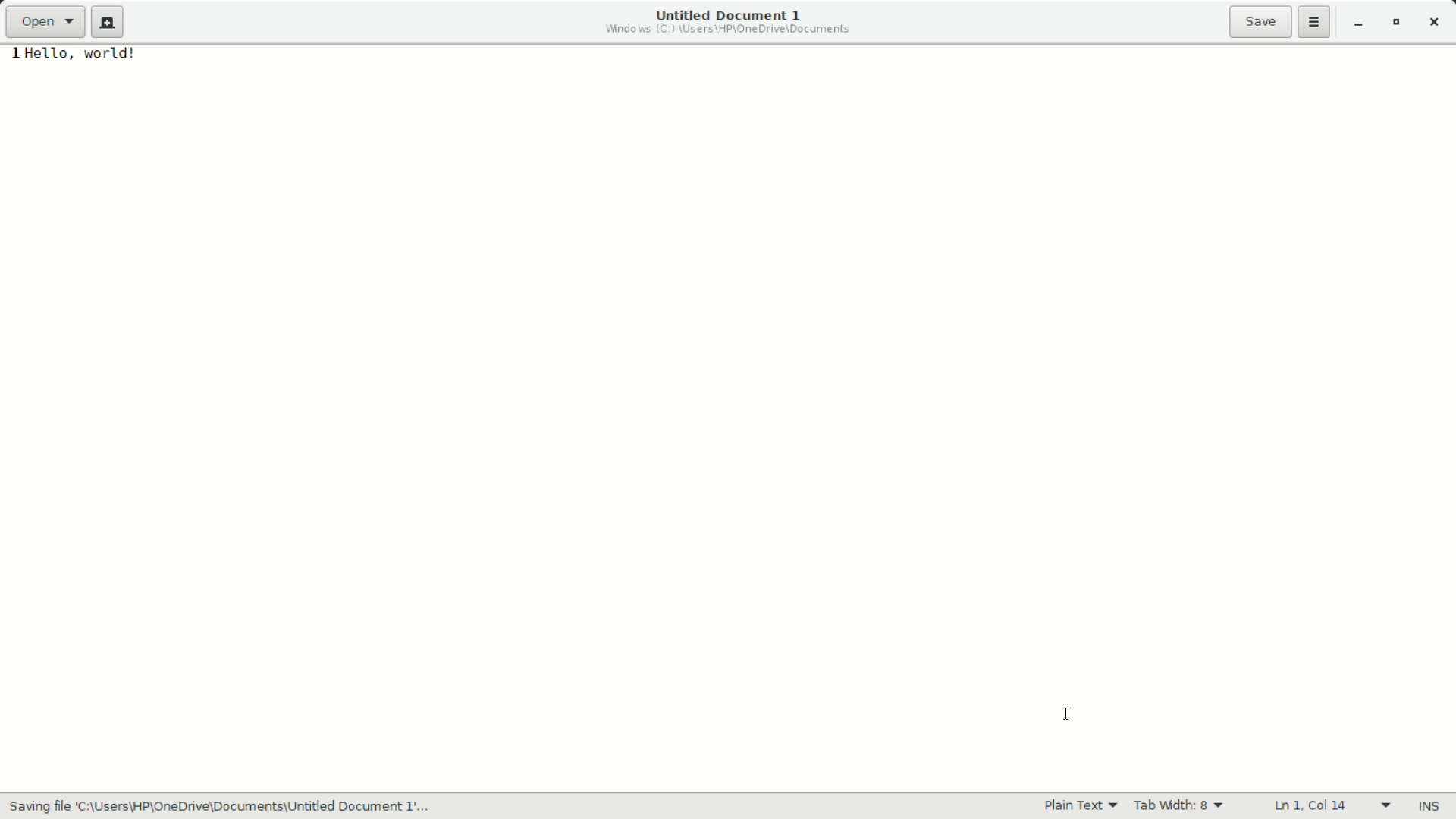  Describe the element at coordinates (1261, 22) in the screenshot. I see `save file` at that location.